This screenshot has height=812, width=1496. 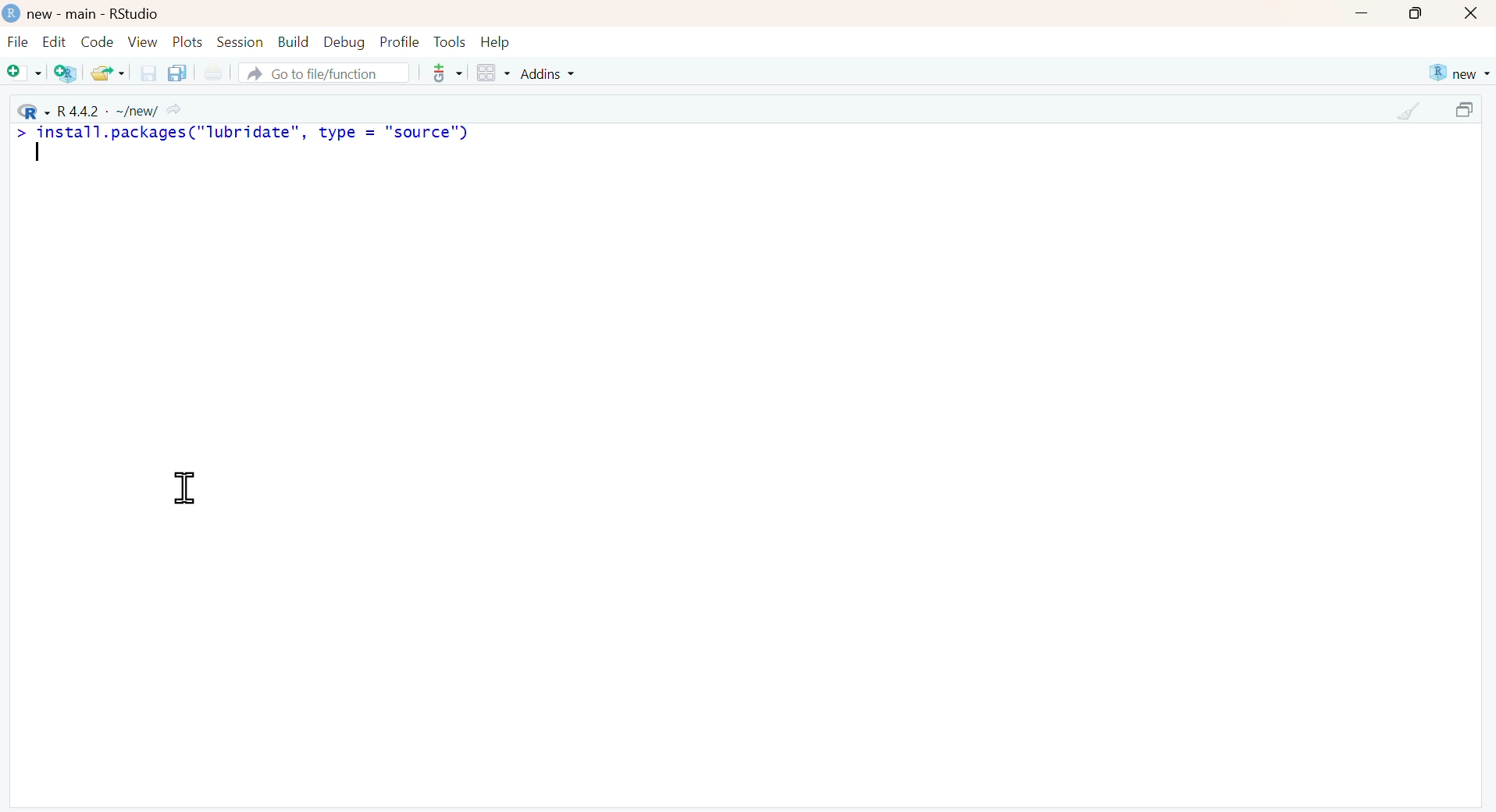 What do you see at coordinates (18, 44) in the screenshot?
I see `File` at bounding box center [18, 44].